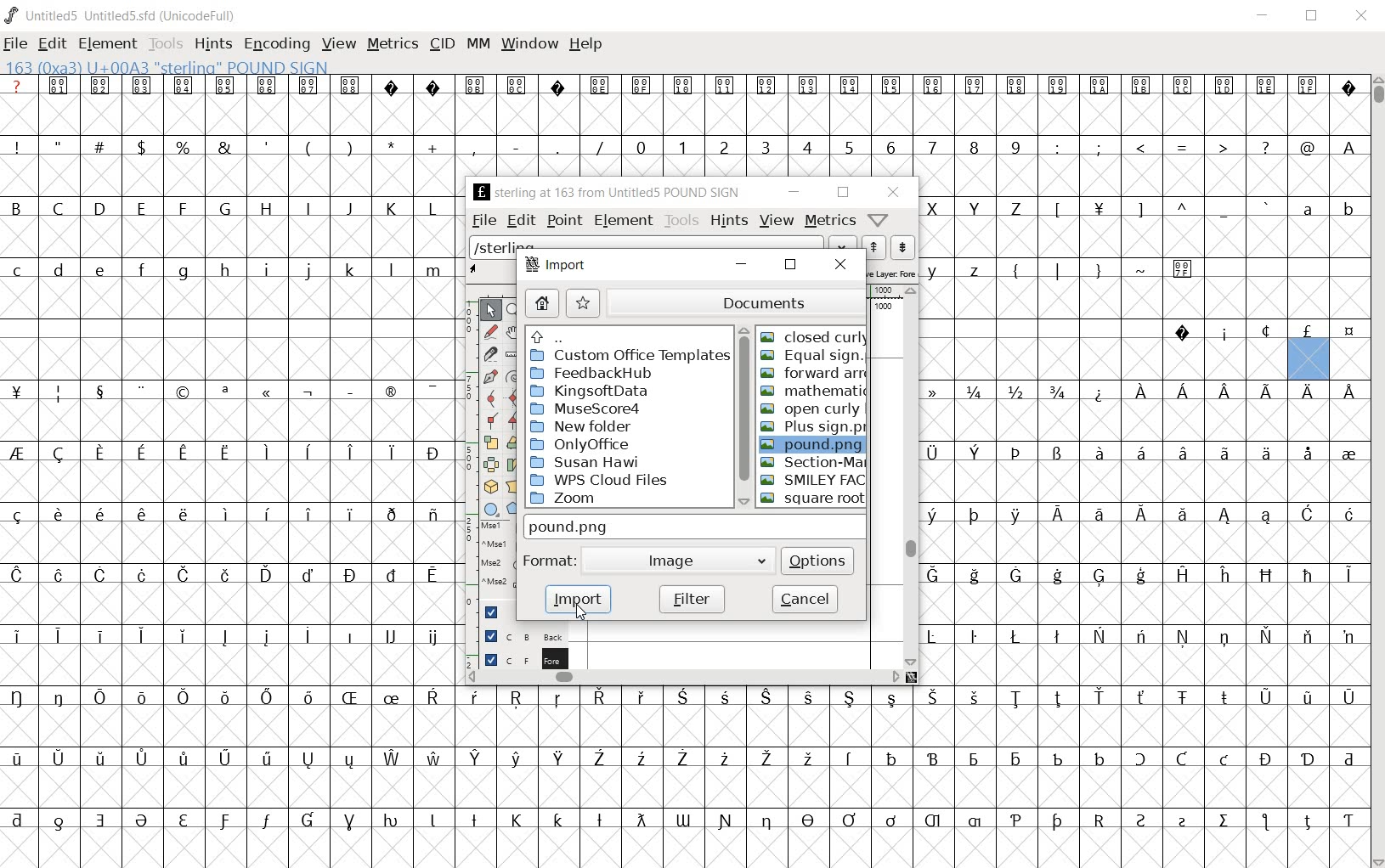 The height and width of the screenshot is (868, 1385). I want to click on Mouse left button + Ctrl, so click(495, 548).